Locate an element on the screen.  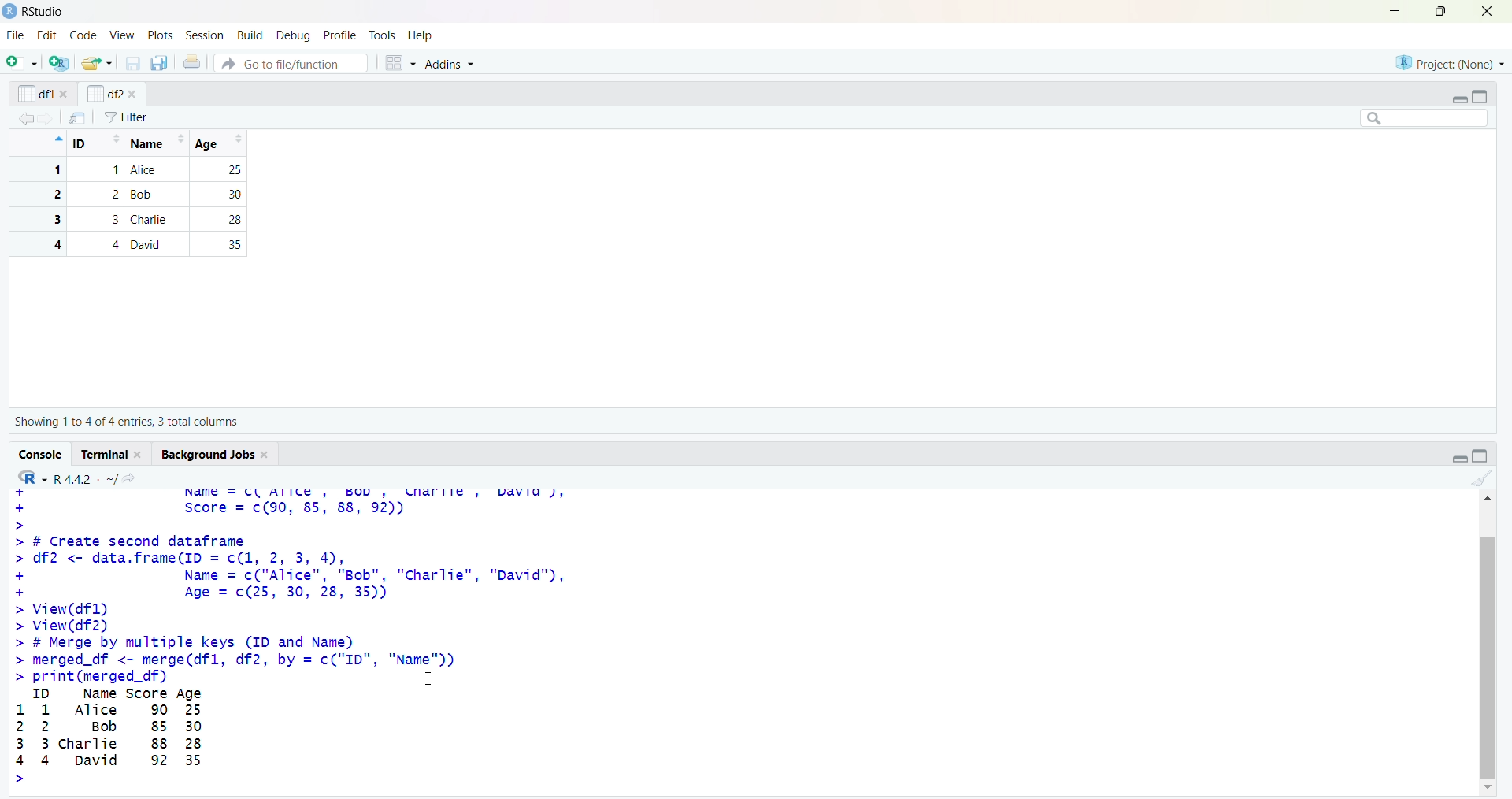
close is located at coordinates (132, 95).